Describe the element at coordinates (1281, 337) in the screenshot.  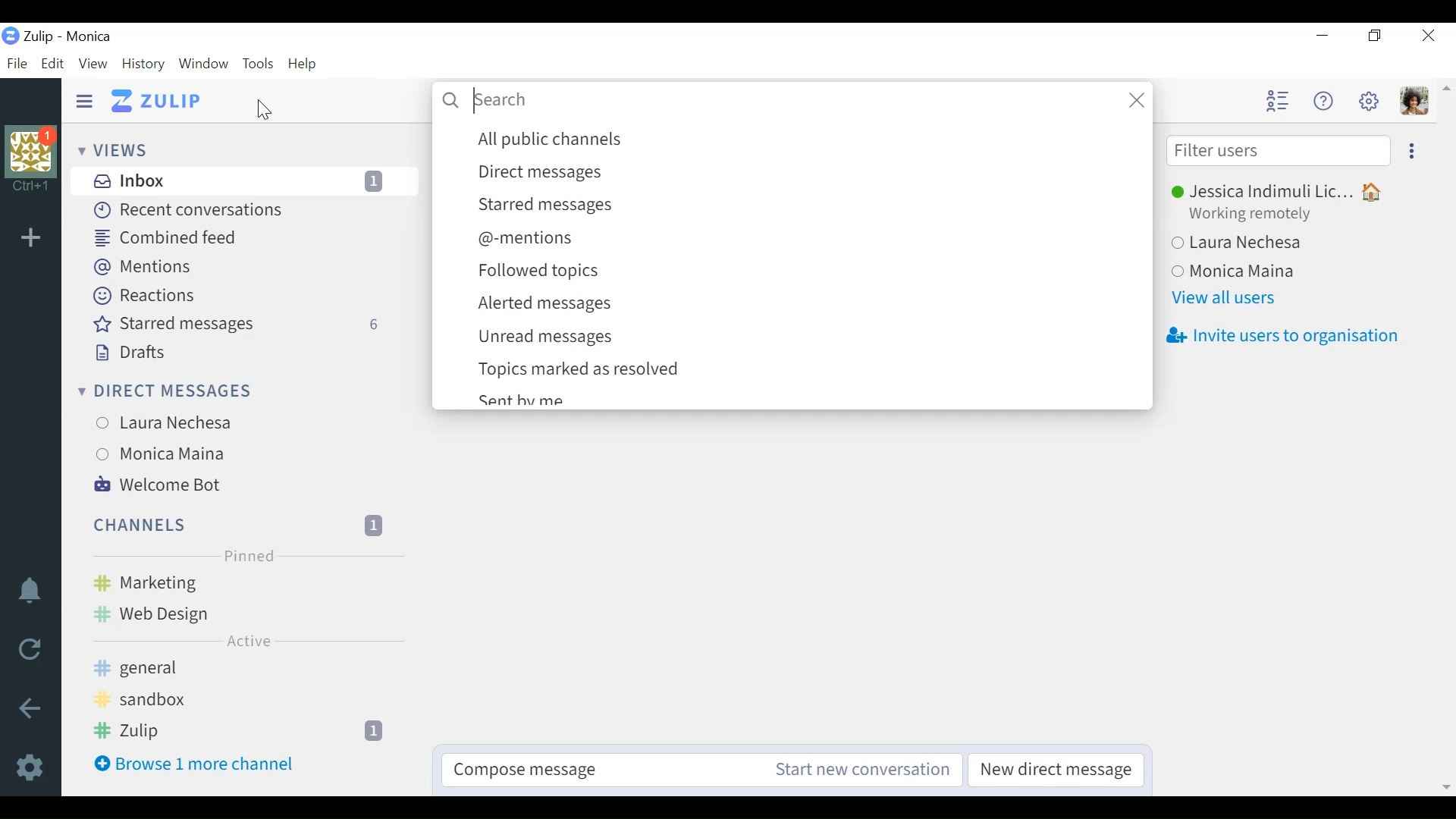
I see `Invite users to organisation` at that location.